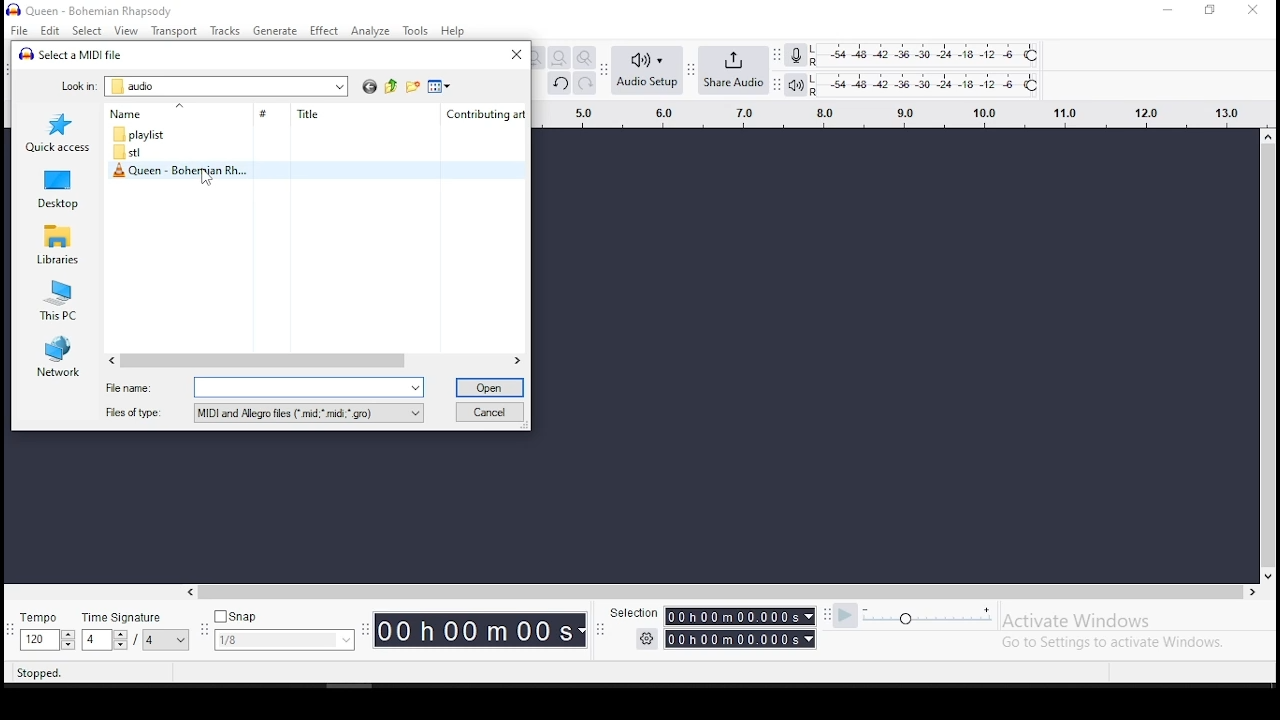  What do you see at coordinates (178, 133) in the screenshot?
I see `folder` at bounding box center [178, 133].